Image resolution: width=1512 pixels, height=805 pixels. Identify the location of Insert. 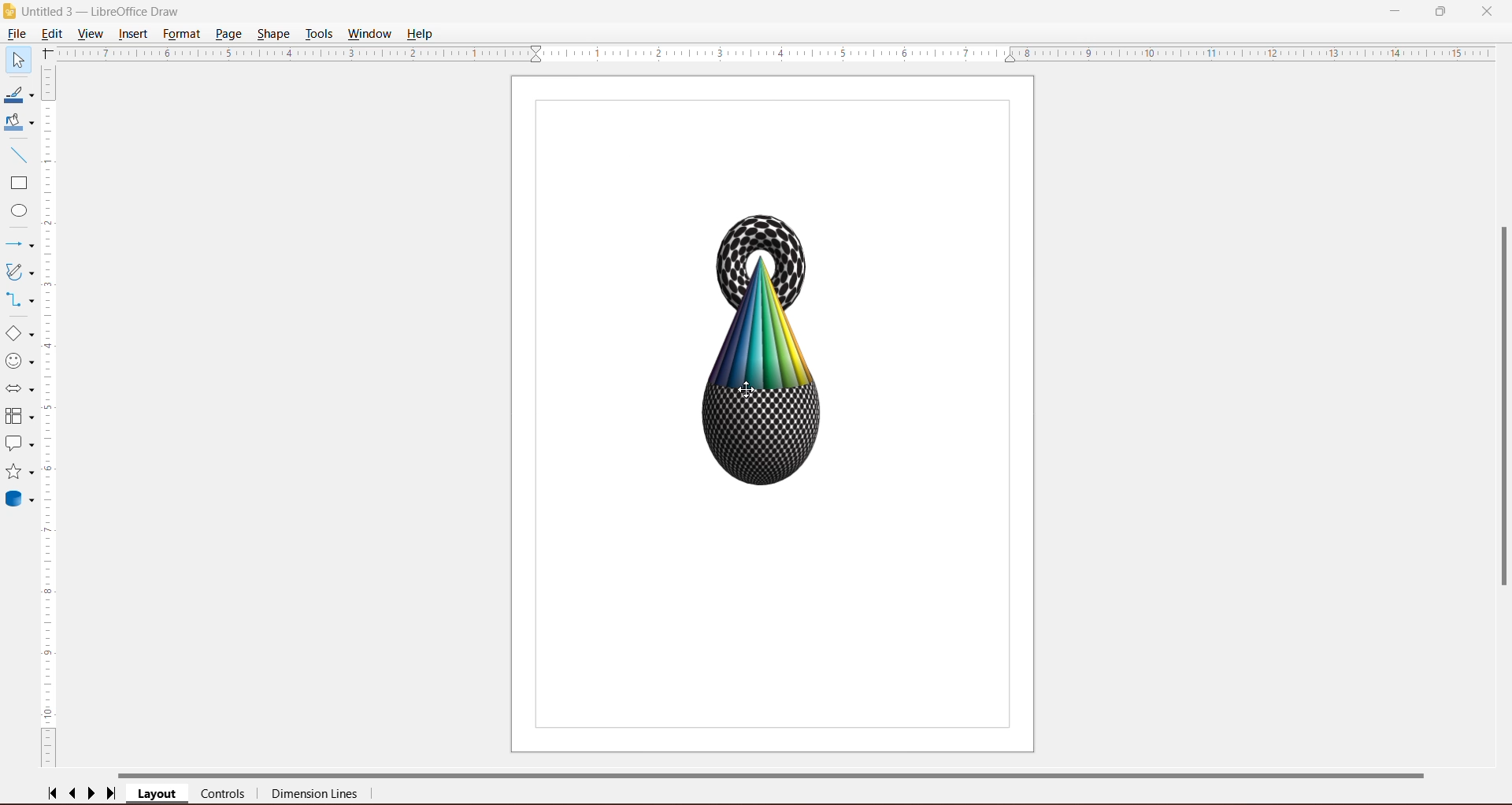
(134, 35).